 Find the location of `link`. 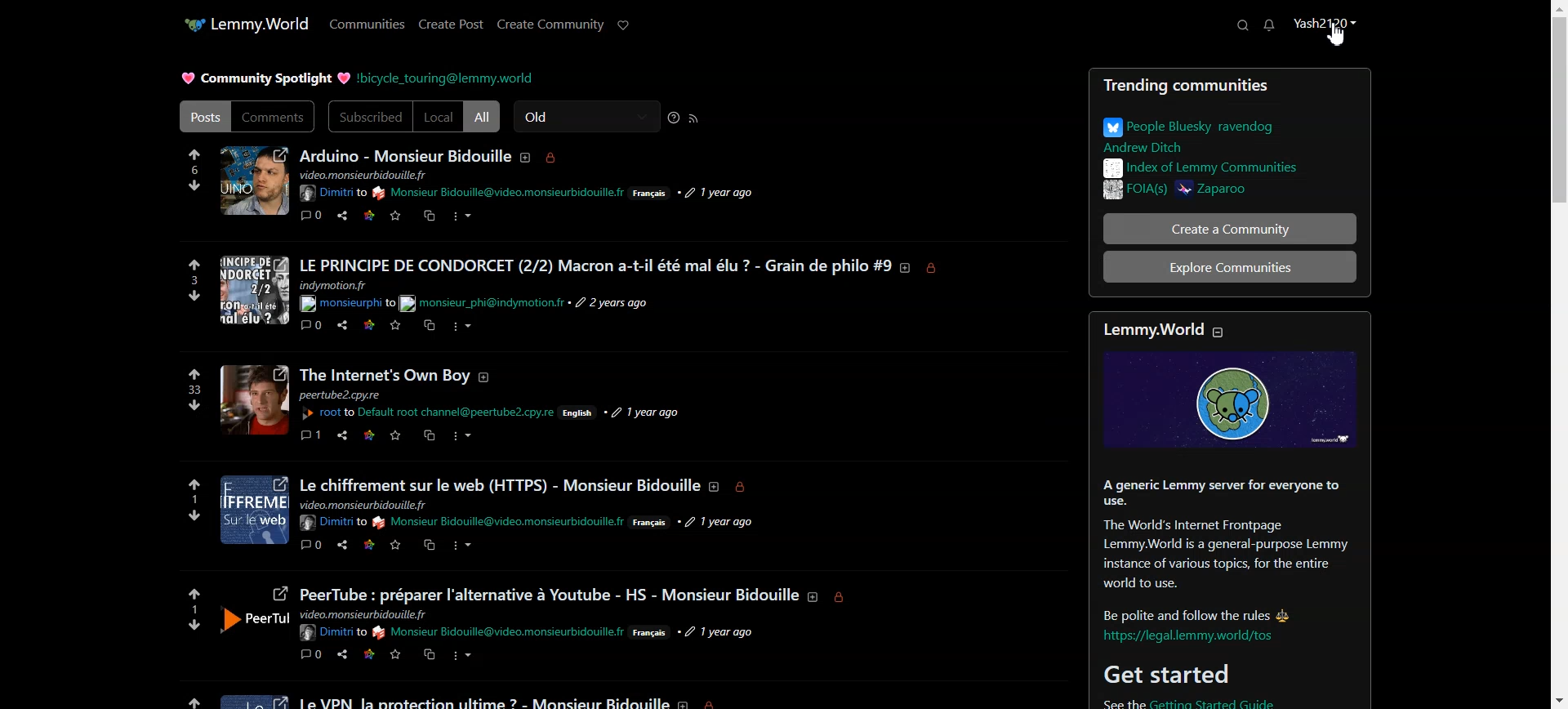

link is located at coordinates (367, 654).